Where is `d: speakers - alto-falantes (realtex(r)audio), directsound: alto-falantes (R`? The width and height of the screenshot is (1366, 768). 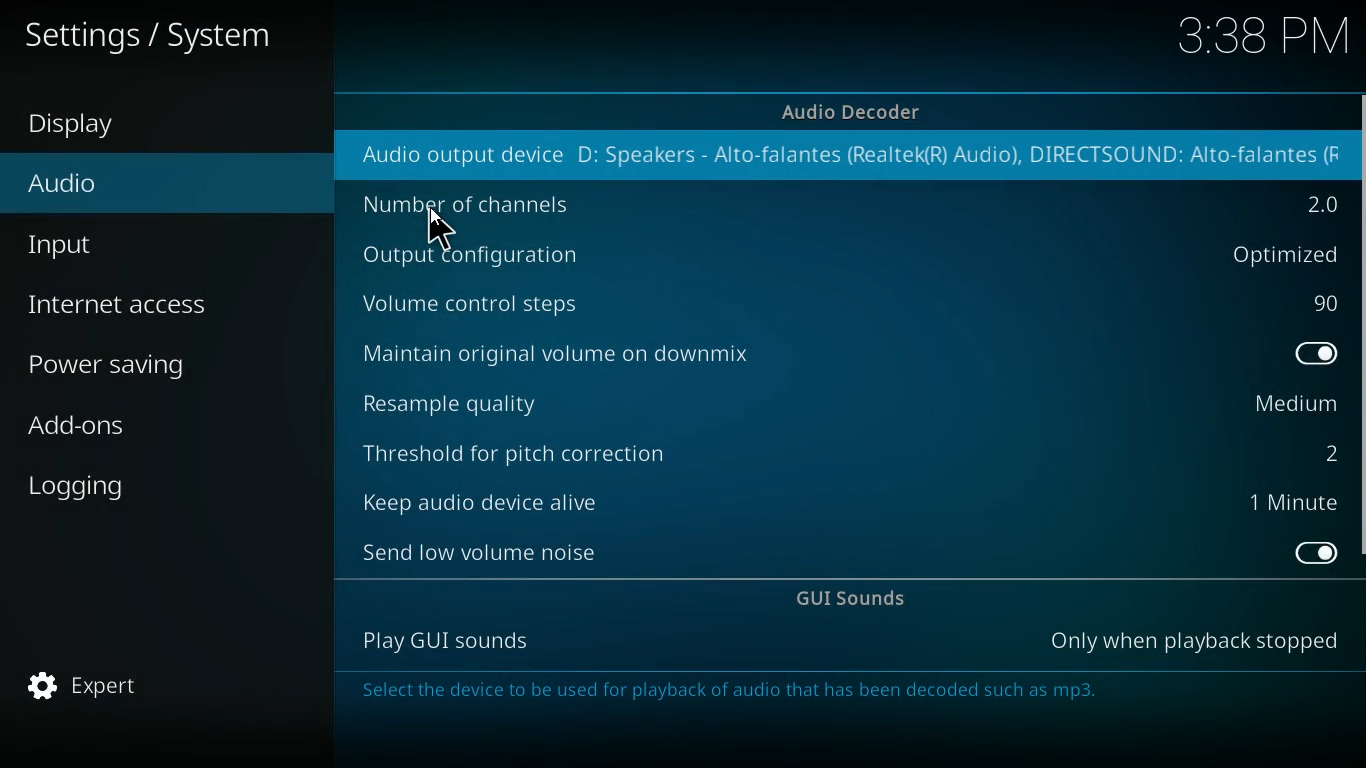
d: speakers - alto-falantes (realtex(r)audio), directsound: alto-falantes (R is located at coordinates (957, 154).